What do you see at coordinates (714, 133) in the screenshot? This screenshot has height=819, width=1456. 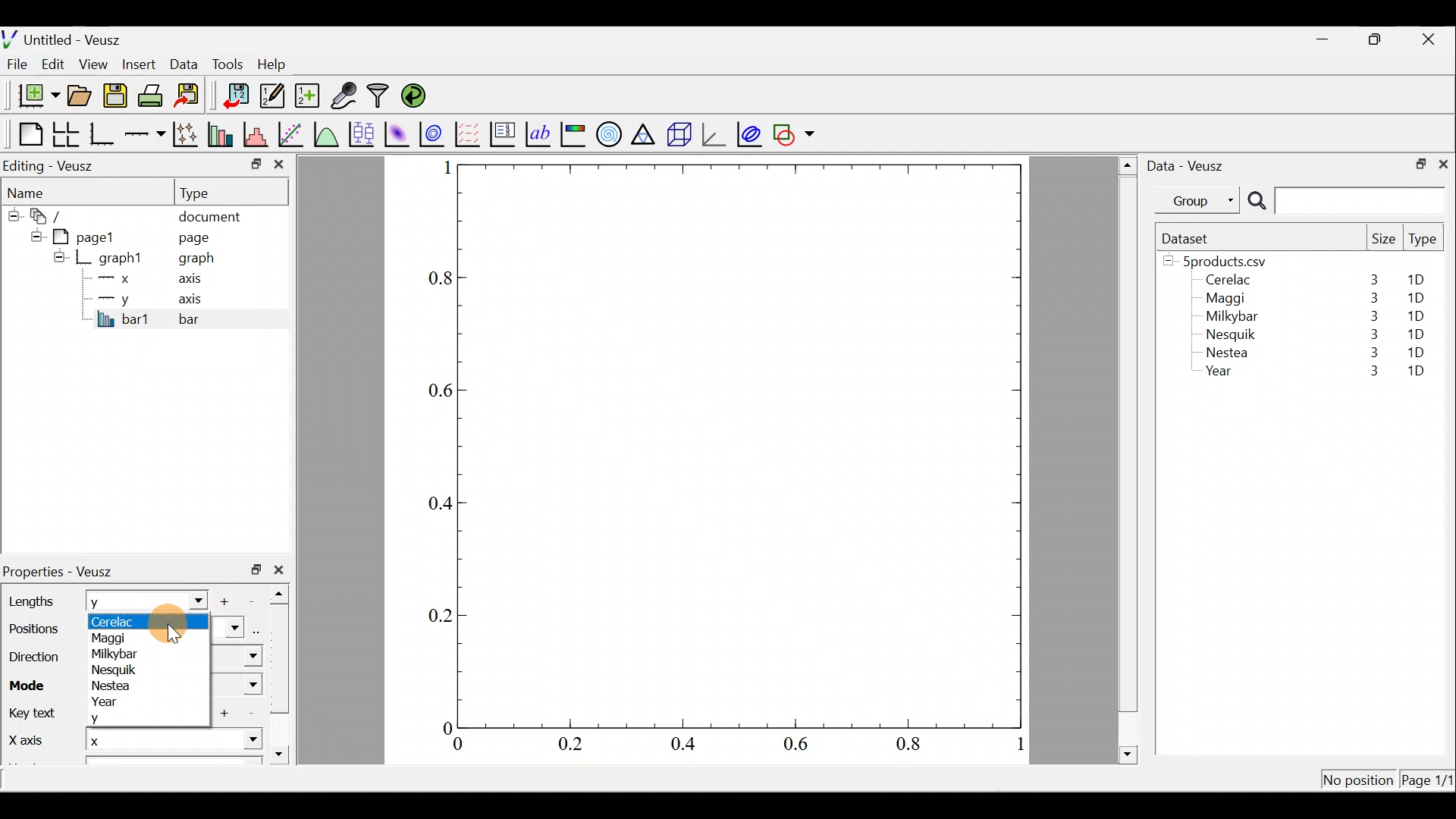 I see `3d graph` at bounding box center [714, 133].